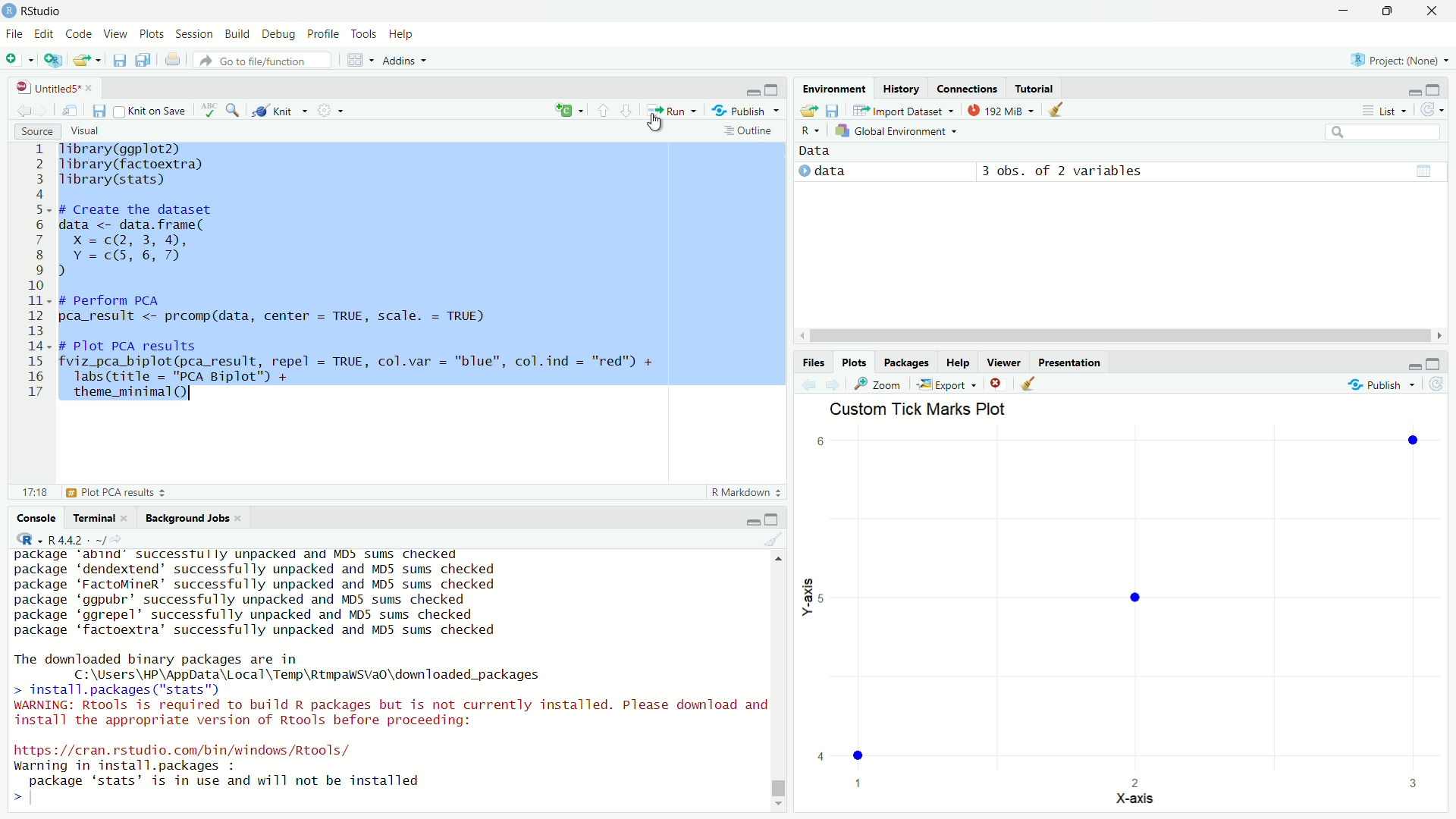  Describe the element at coordinates (966, 88) in the screenshot. I see `connections` at that location.